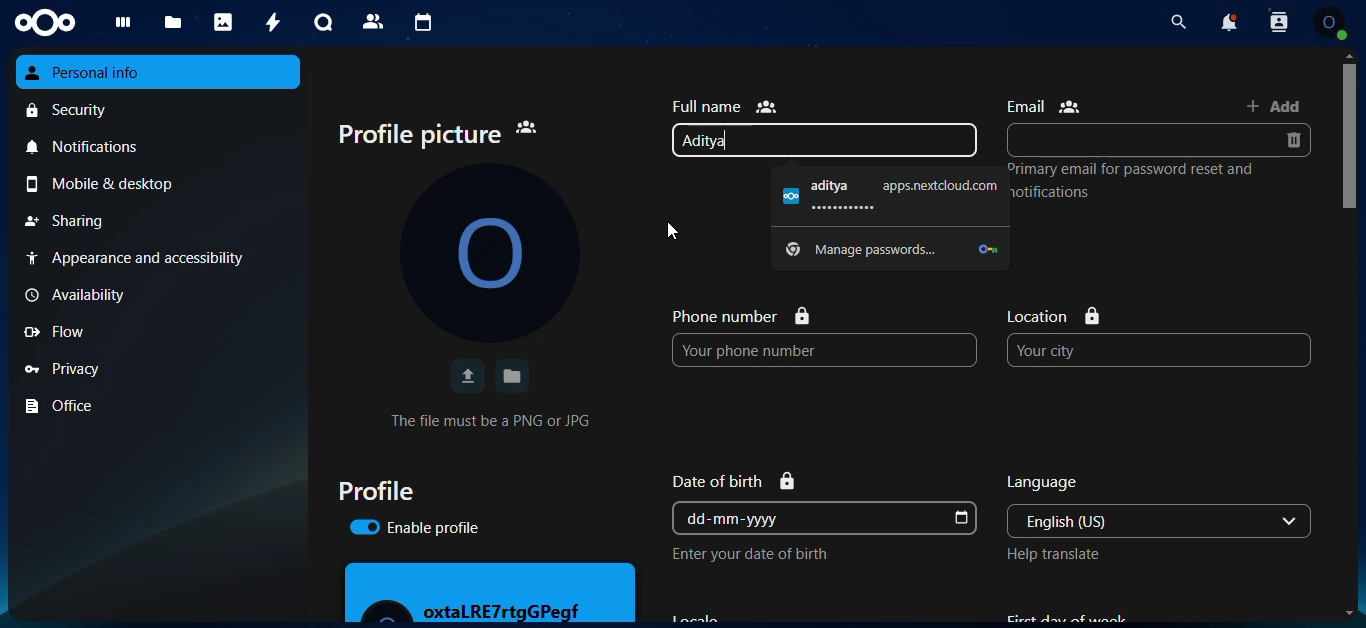 The image size is (1366, 628). I want to click on scroll bar, so click(1351, 267).